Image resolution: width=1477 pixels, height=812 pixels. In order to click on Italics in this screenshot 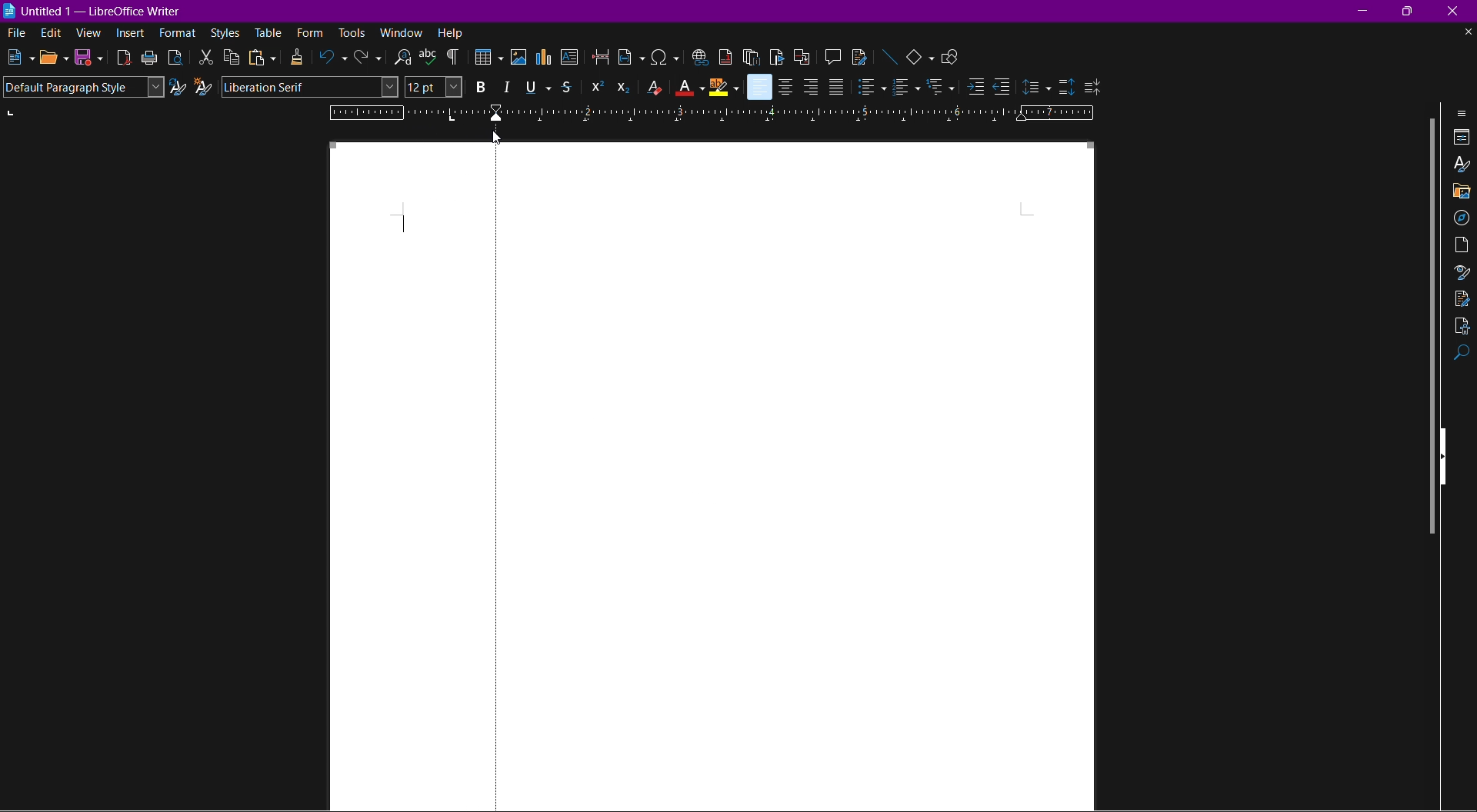, I will do `click(508, 85)`.